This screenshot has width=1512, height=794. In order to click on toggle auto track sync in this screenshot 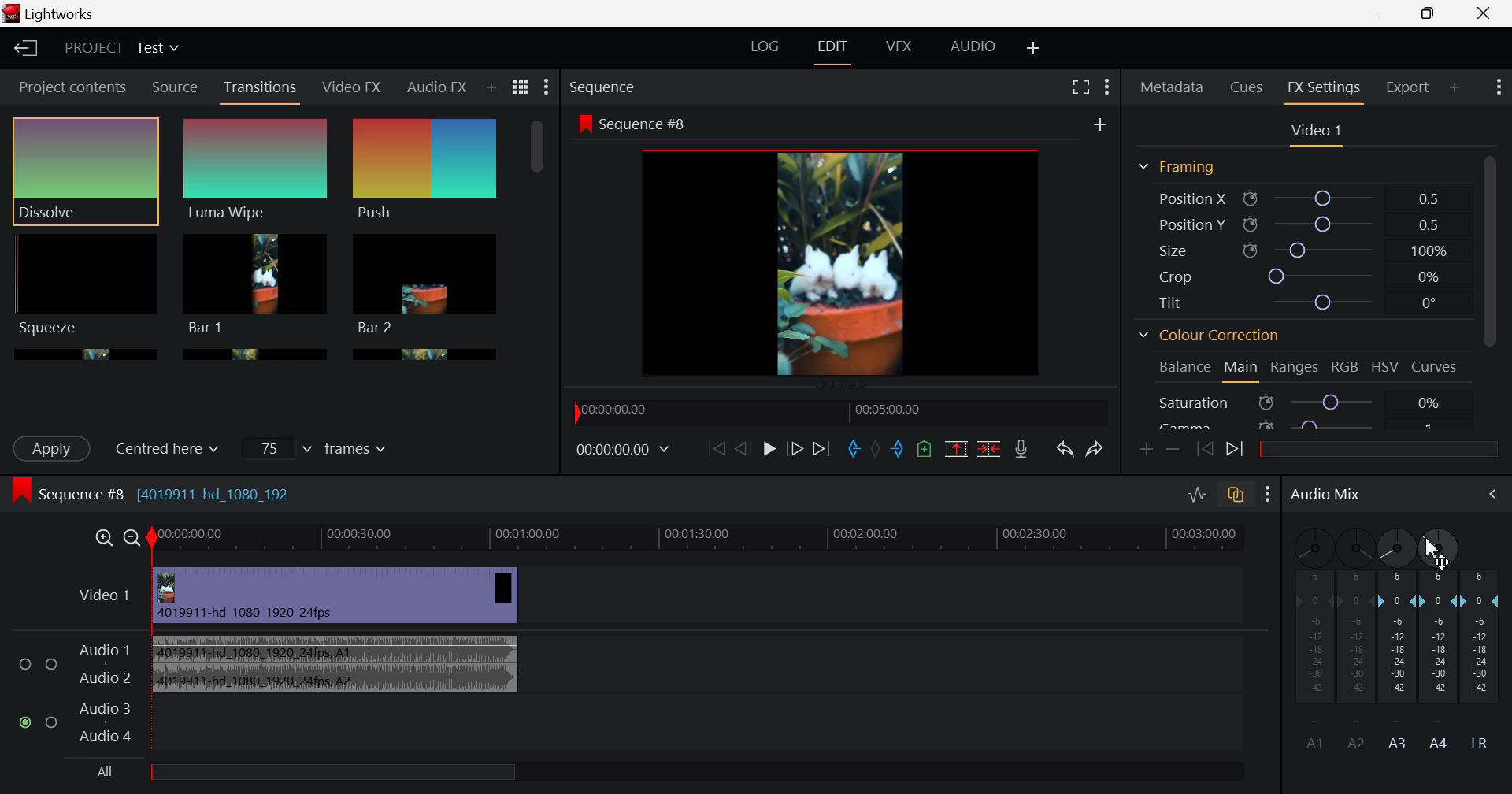, I will do `click(1237, 499)`.